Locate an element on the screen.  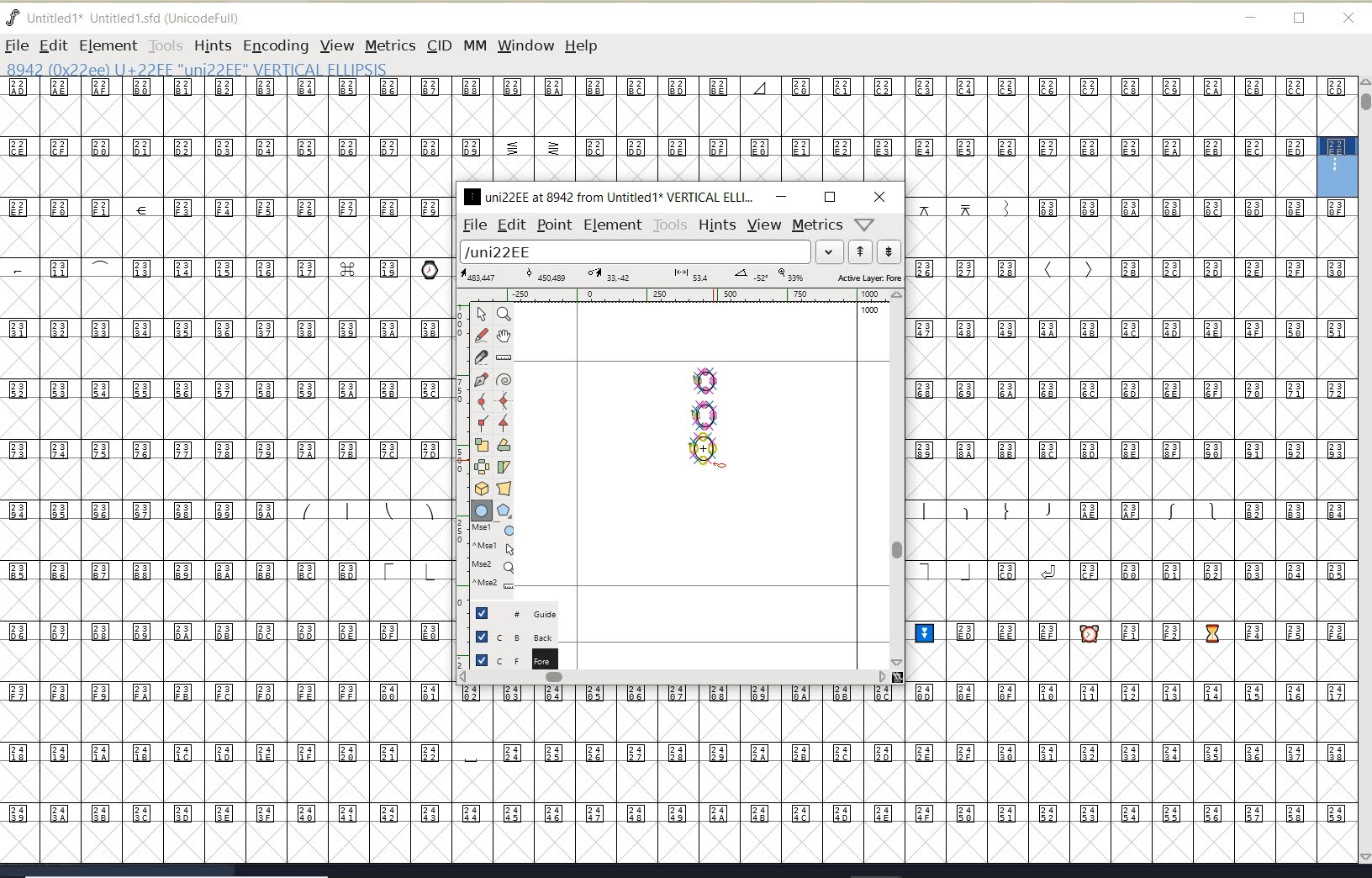
guide is located at coordinates (522, 611).